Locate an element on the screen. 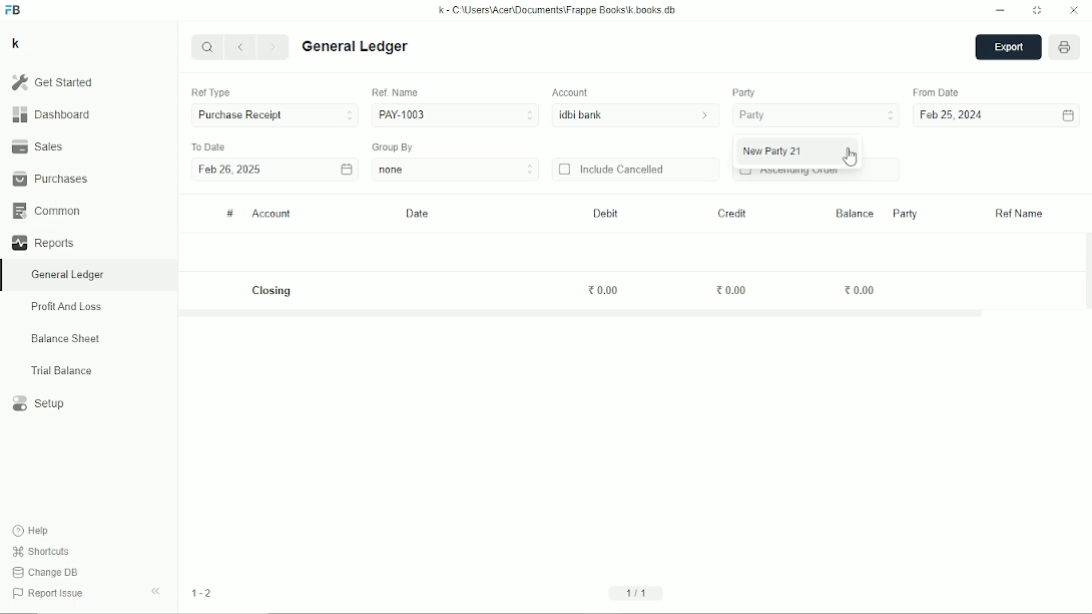 The image size is (1092, 614). FB is located at coordinates (13, 10).